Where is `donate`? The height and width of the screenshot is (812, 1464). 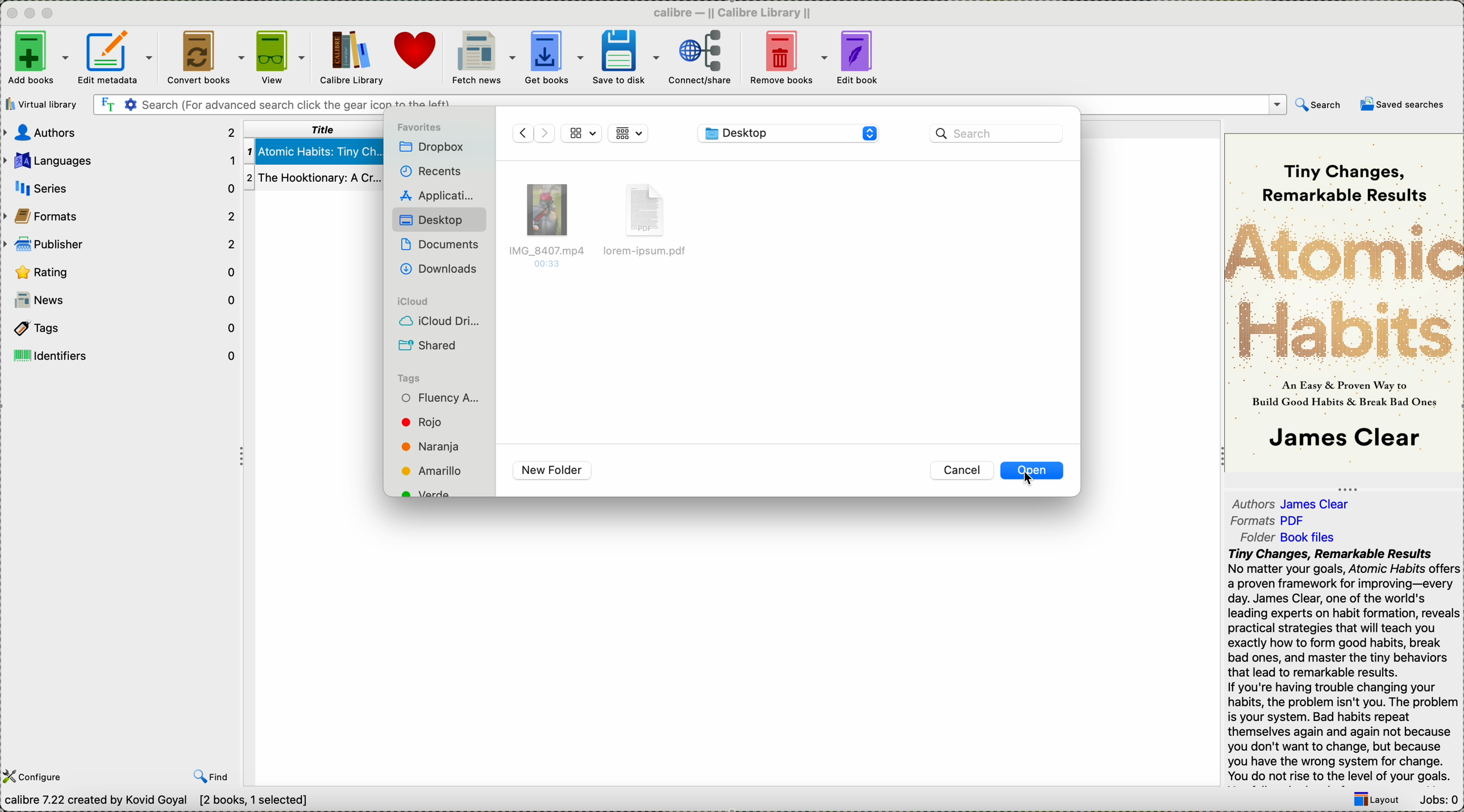 donate is located at coordinates (418, 53).